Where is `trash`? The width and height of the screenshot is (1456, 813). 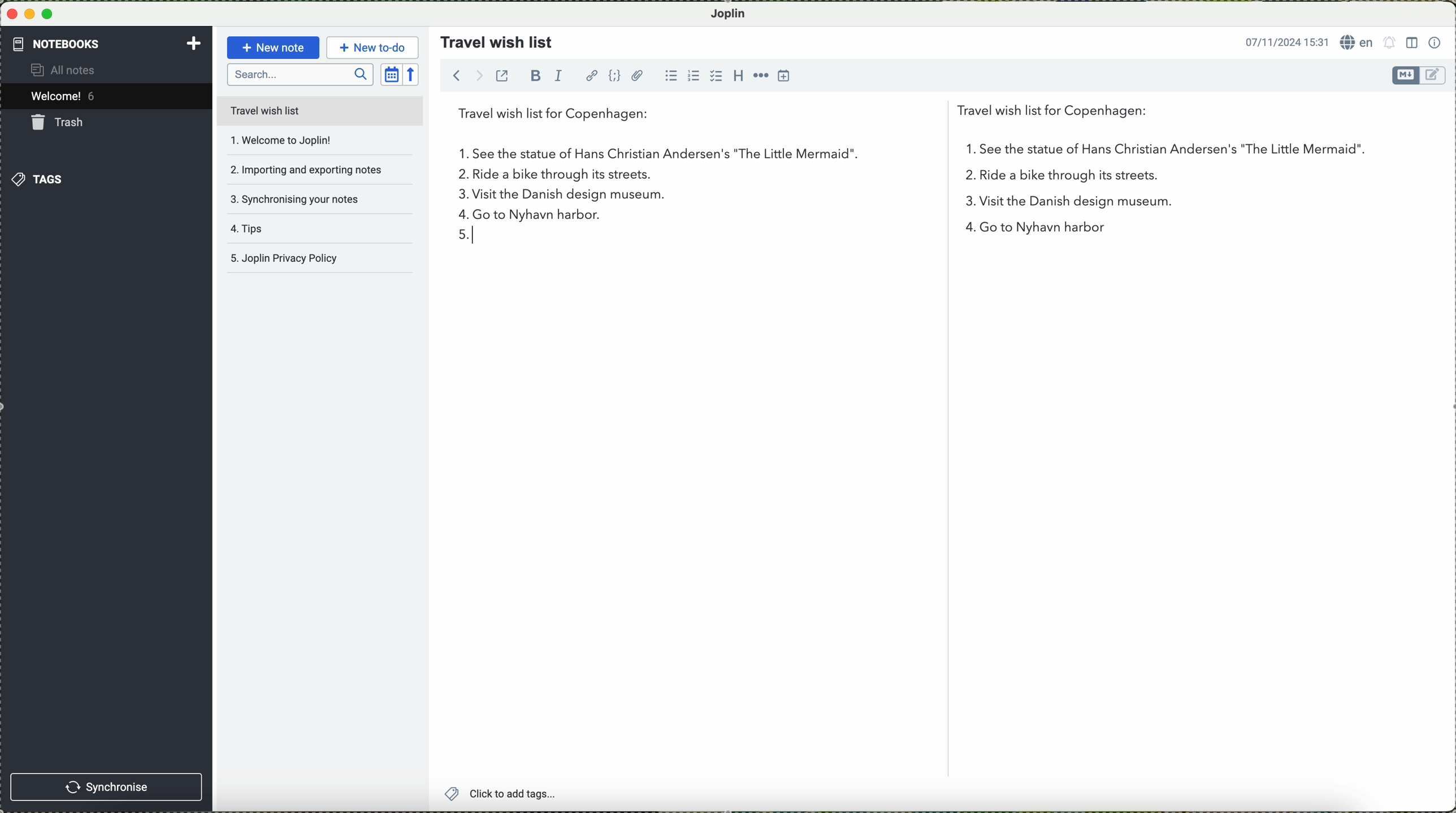 trash is located at coordinates (60, 122).